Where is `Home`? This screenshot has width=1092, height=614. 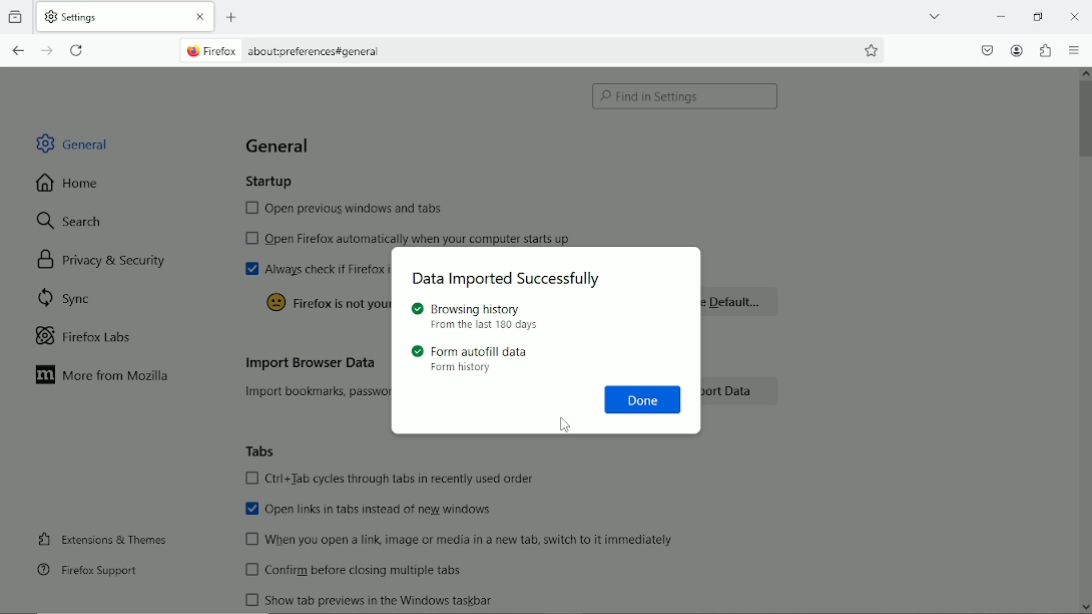
Home is located at coordinates (69, 183).